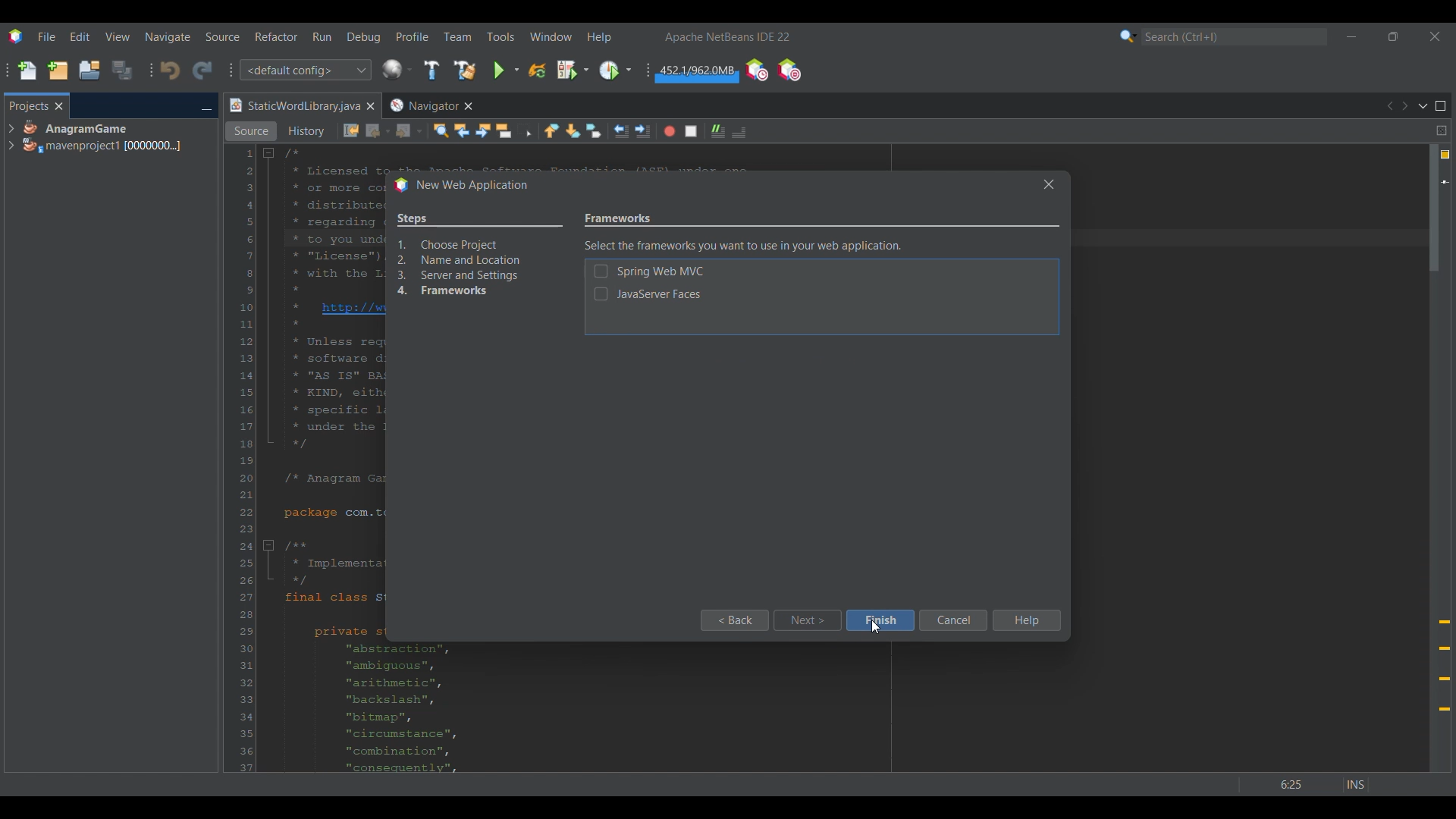  I want to click on Tools menu, so click(500, 36).